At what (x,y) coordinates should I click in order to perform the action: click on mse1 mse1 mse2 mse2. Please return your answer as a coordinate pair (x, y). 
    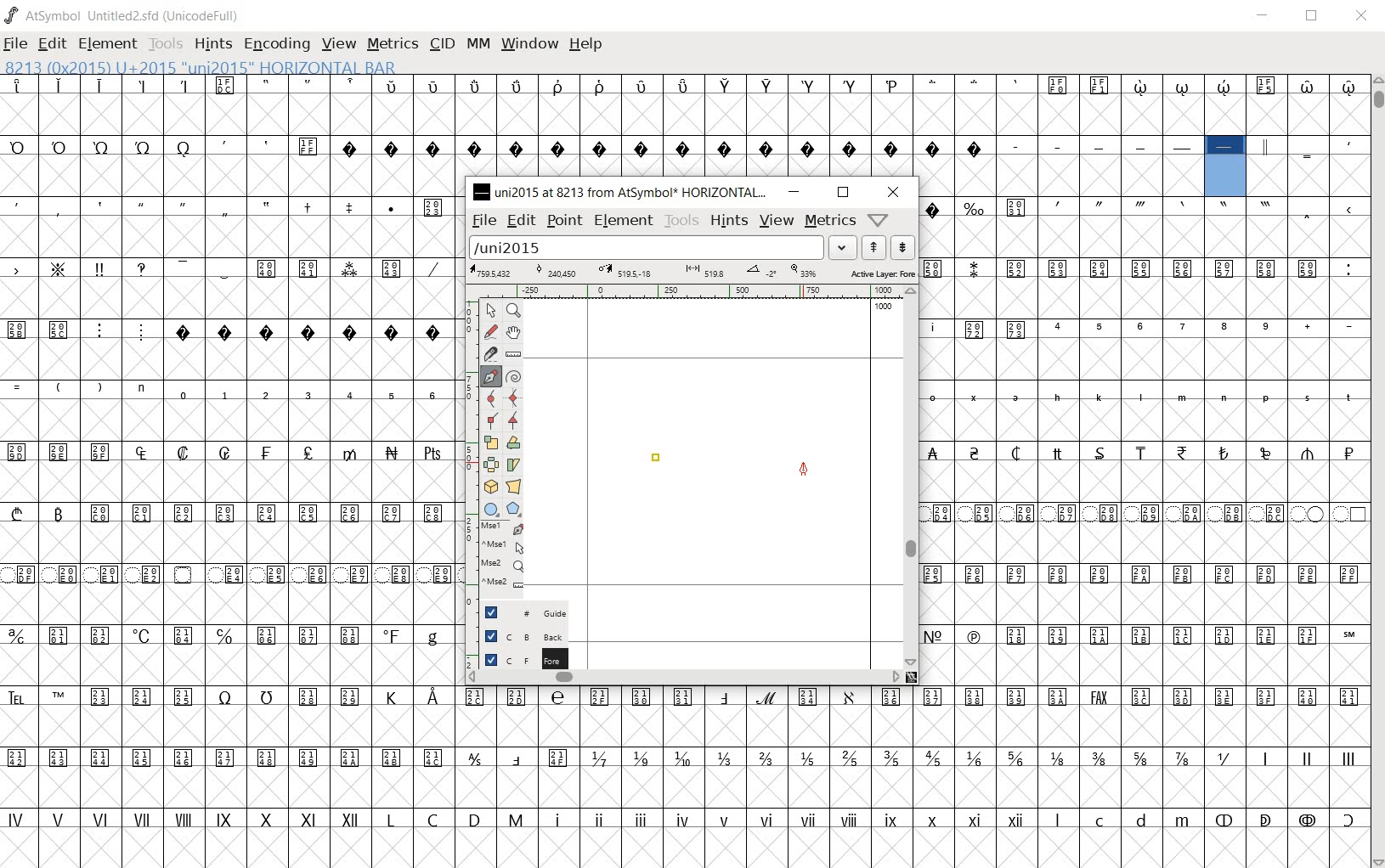
    Looking at the image, I should click on (493, 558).